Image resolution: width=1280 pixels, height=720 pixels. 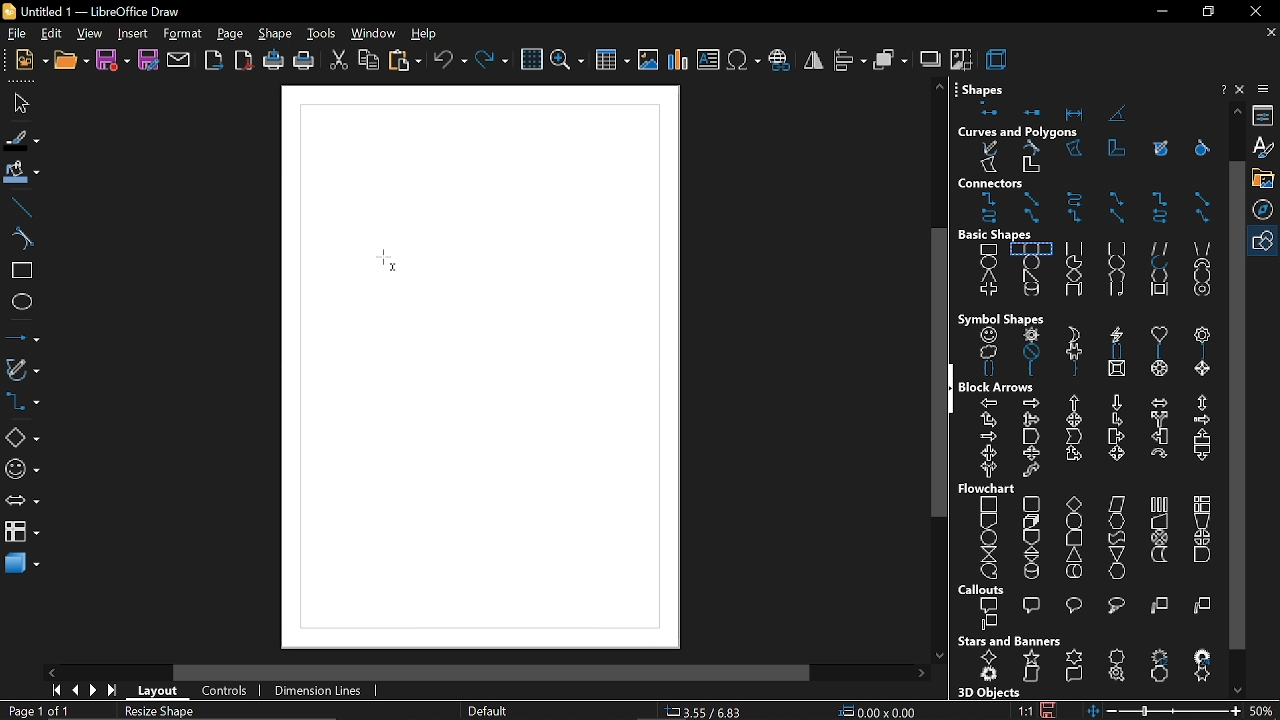 I want to click on basic shapes, so click(x=1092, y=273).